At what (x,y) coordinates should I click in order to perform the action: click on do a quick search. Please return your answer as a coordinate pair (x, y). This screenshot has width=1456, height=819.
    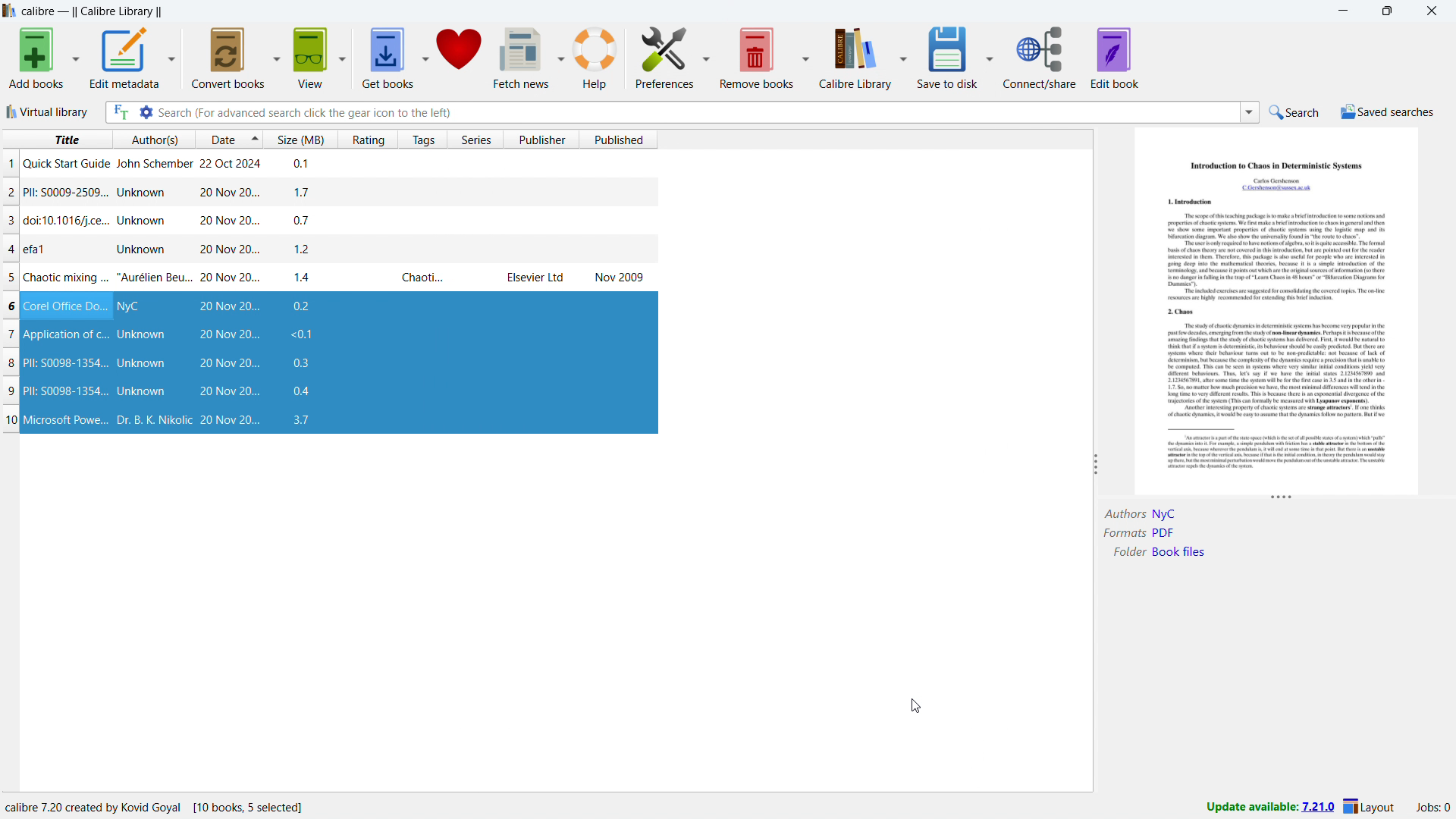
    Looking at the image, I should click on (1295, 113).